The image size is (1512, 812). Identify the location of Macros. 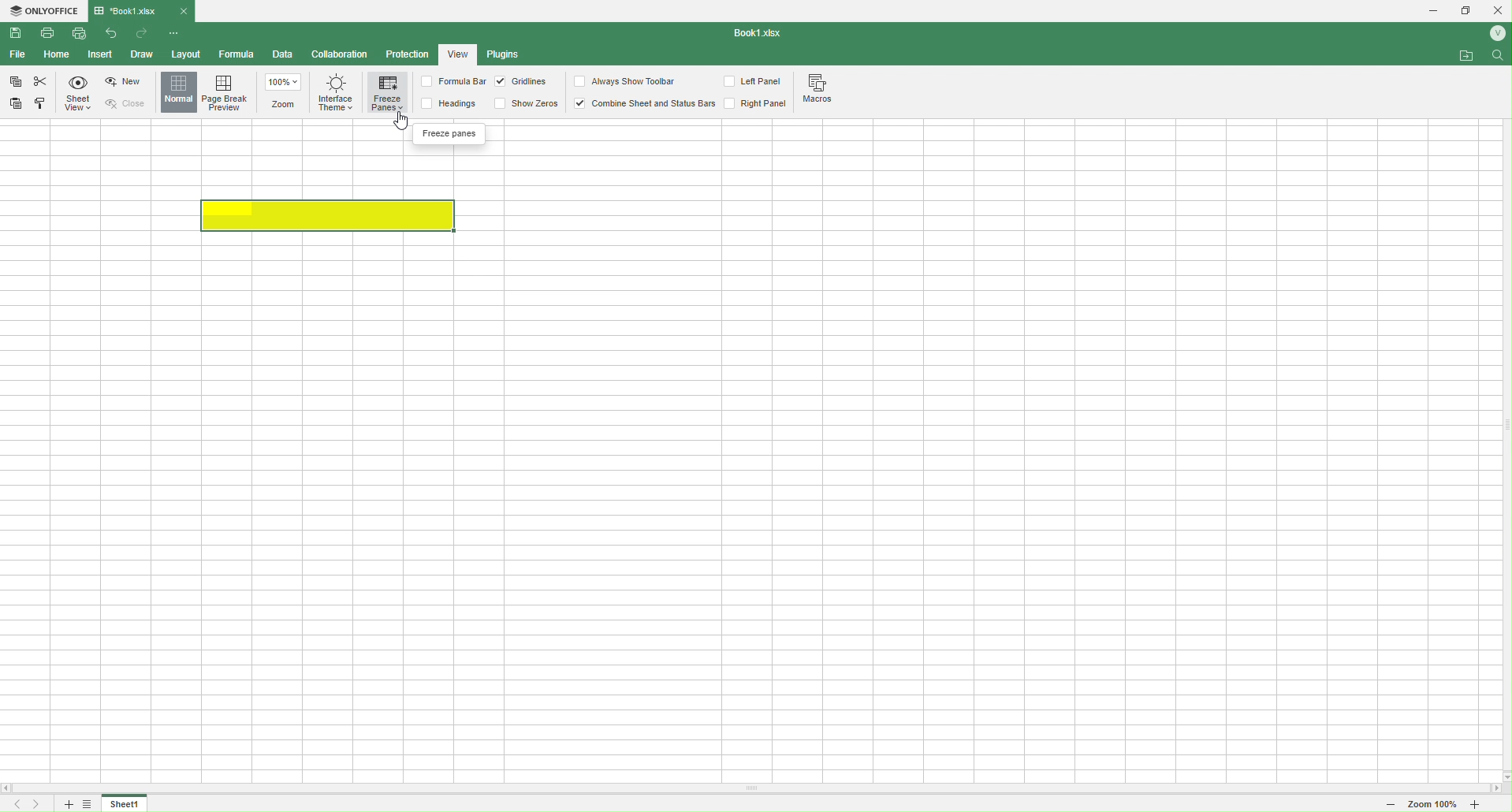
(822, 91).